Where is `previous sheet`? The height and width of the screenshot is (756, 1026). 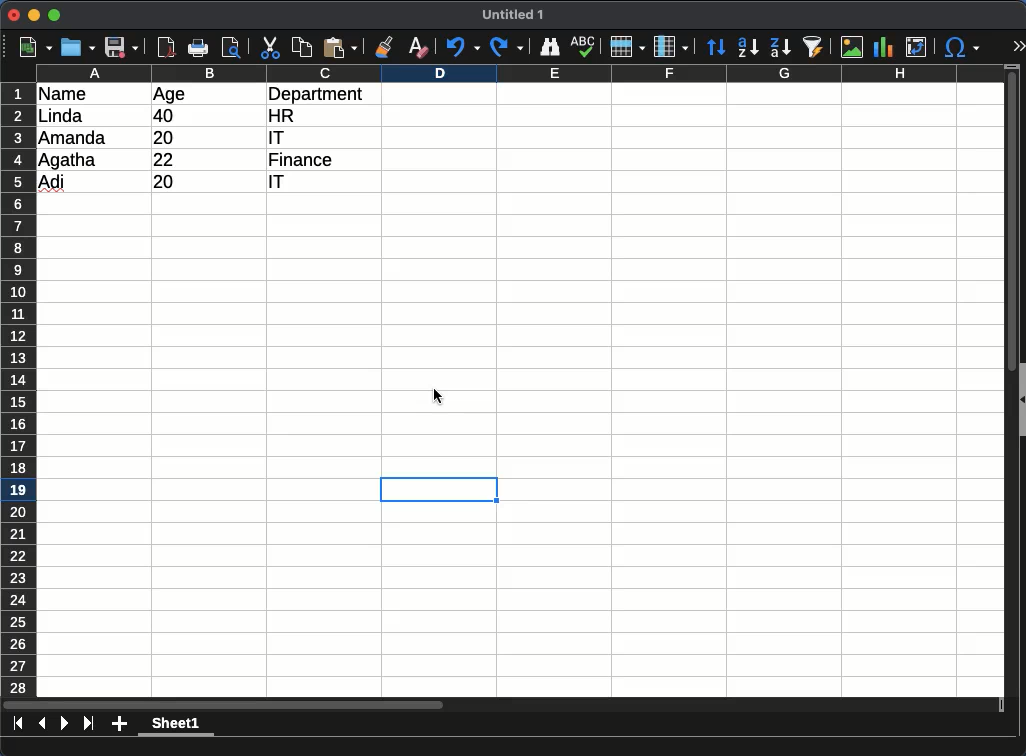 previous sheet is located at coordinates (44, 722).